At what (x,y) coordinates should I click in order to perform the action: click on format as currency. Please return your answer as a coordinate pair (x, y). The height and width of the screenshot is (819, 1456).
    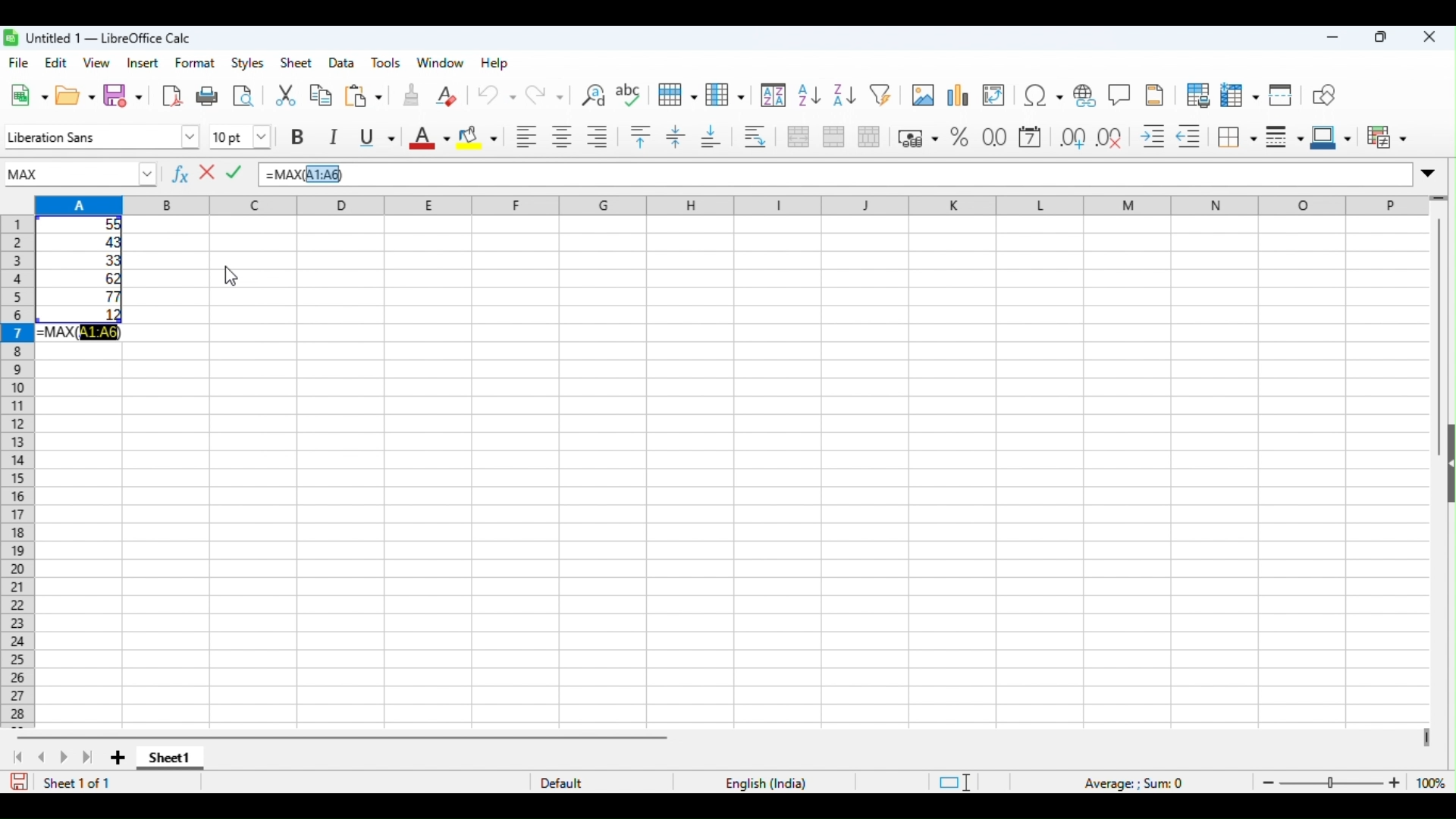
    Looking at the image, I should click on (918, 138).